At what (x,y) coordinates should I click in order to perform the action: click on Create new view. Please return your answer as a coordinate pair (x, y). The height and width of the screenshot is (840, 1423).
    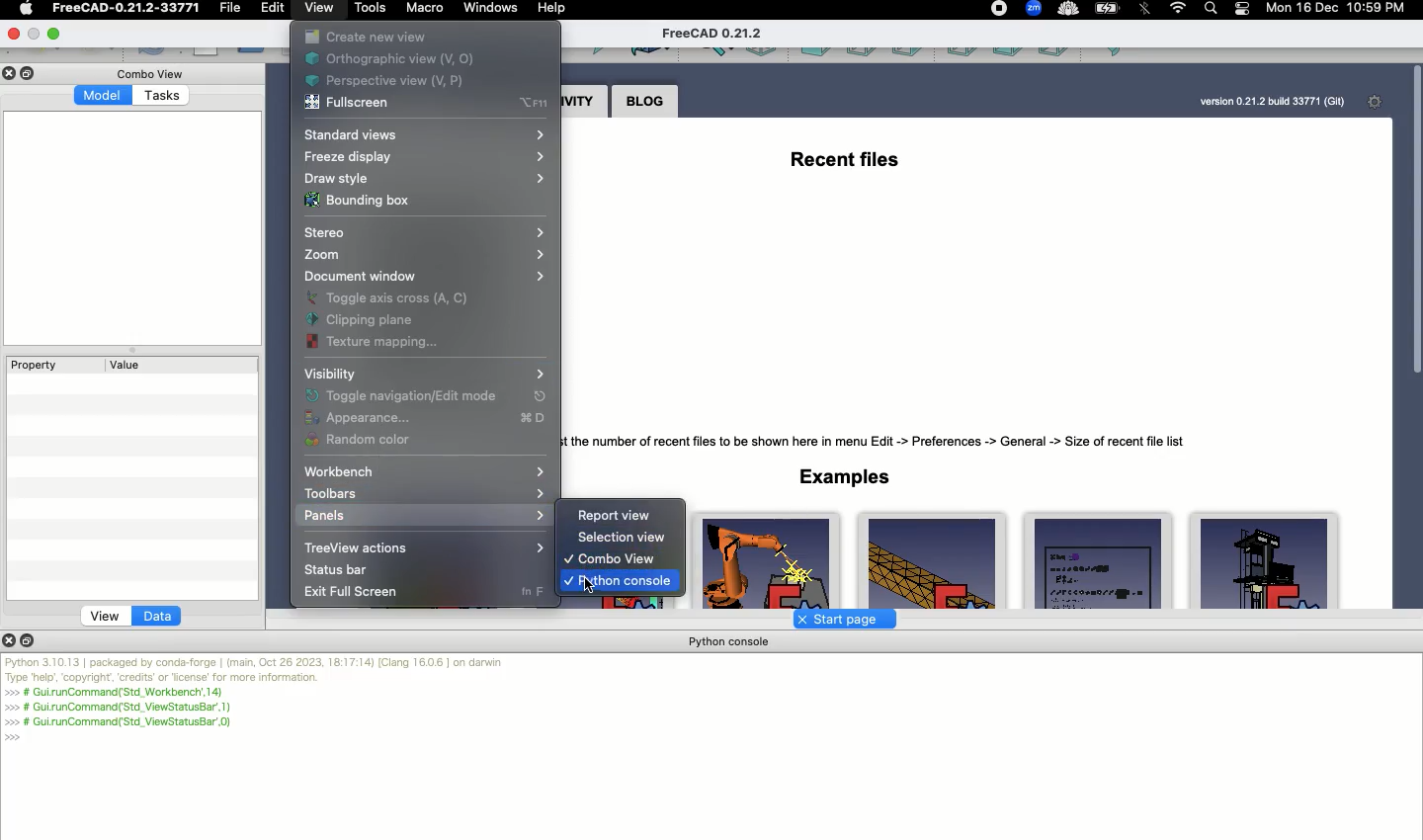
    Looking at the image, I should click on (367, 38).